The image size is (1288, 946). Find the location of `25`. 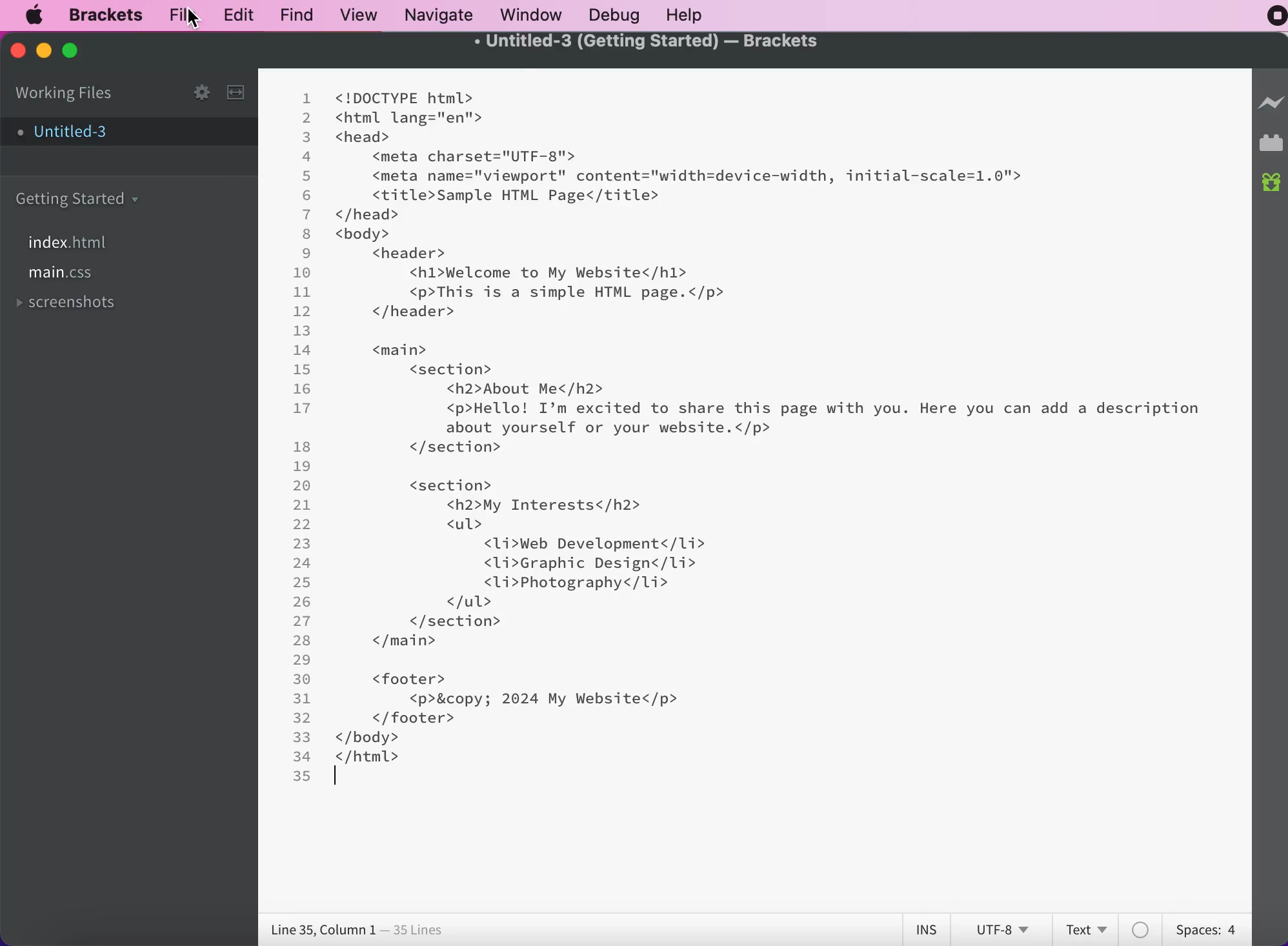

25 is located at coordinates (303, 583).